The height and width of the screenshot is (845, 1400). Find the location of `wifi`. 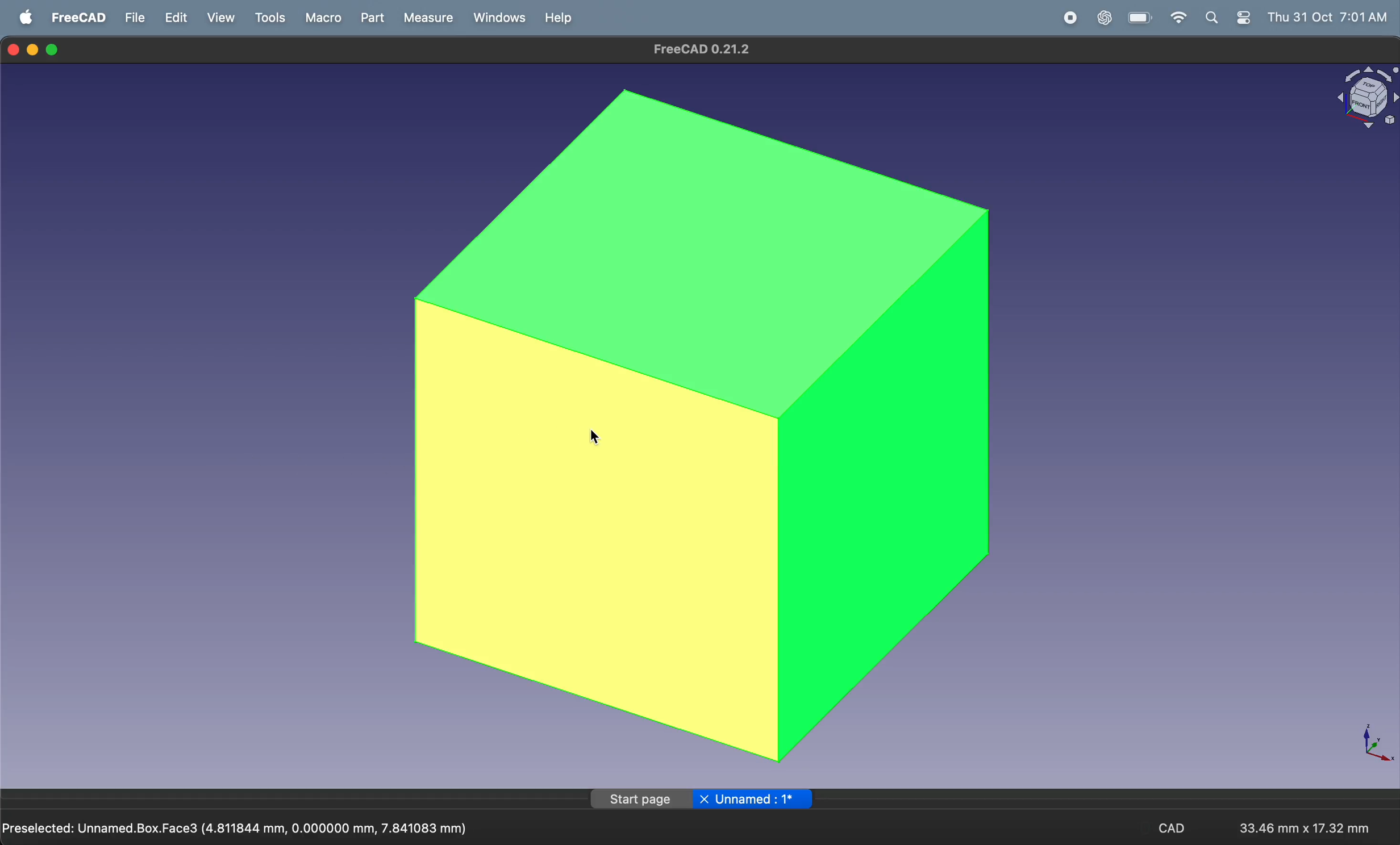

wifi is located at coordinates (1174, 18).